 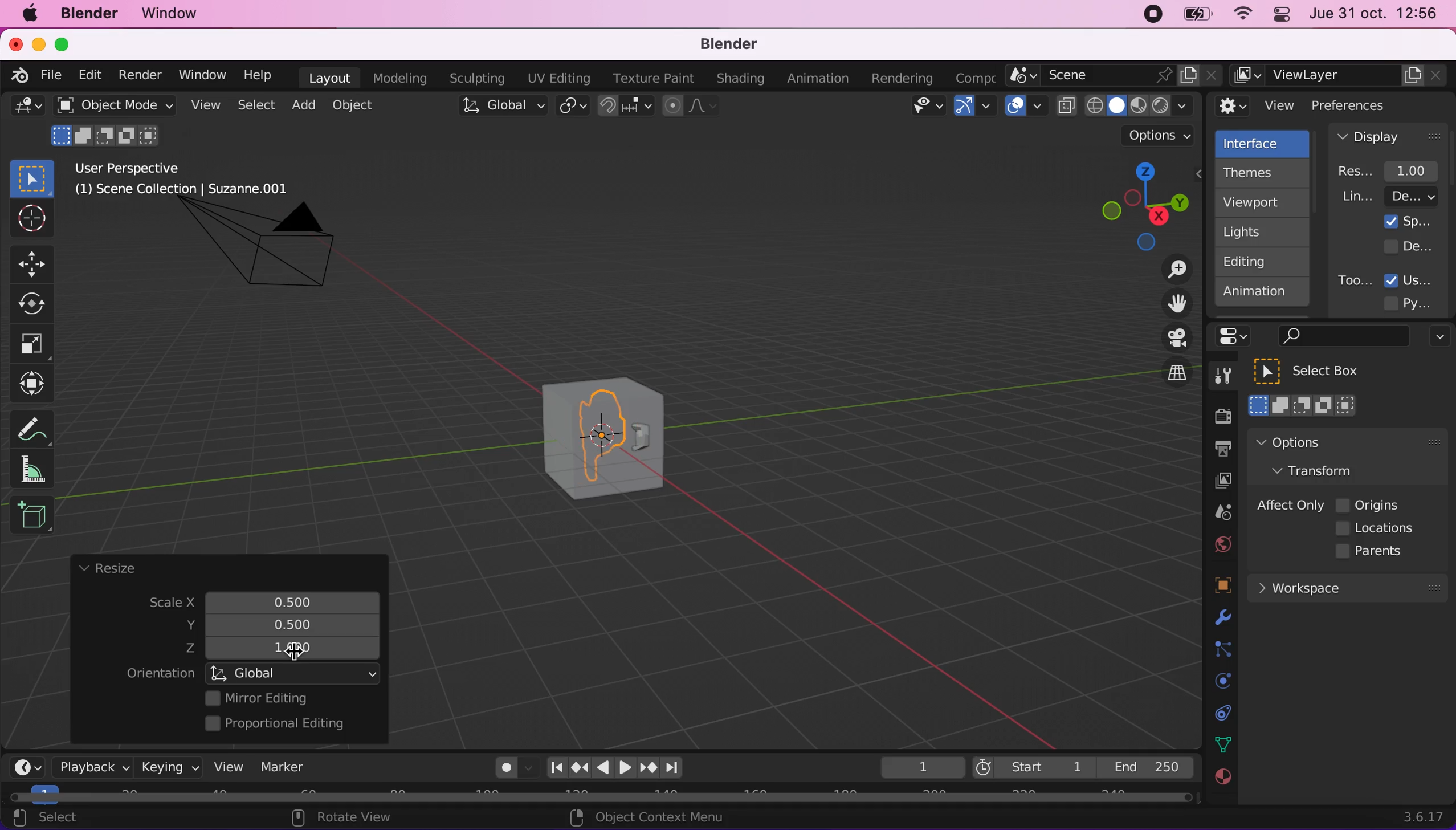 What do you see at coordinates (1408, 221) in the screenshot?
I see `splash screen` at bounding box center [1408, 221].